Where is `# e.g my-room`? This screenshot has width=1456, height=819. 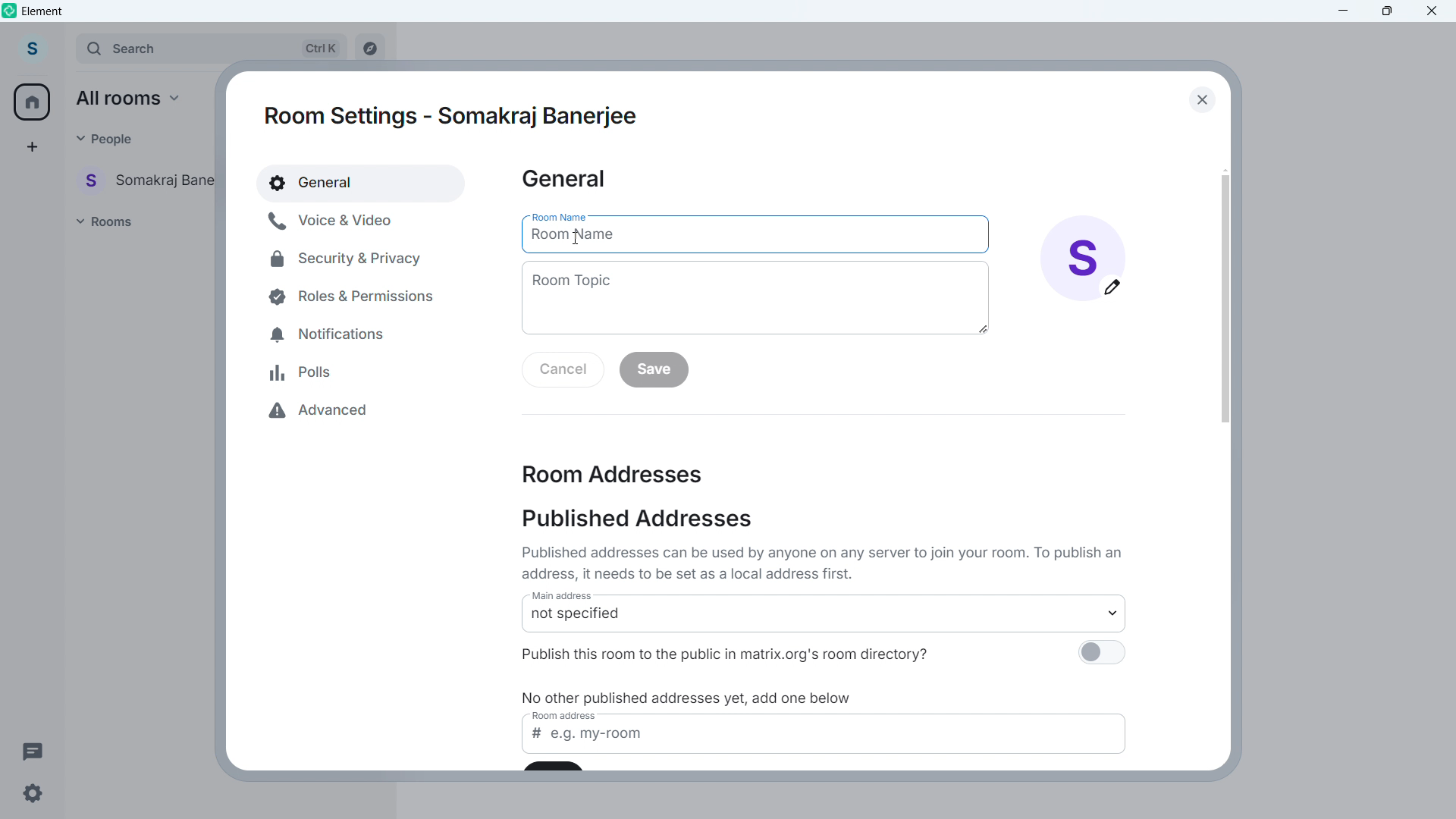
# e.g my-room is located at coordinates (827, 742).